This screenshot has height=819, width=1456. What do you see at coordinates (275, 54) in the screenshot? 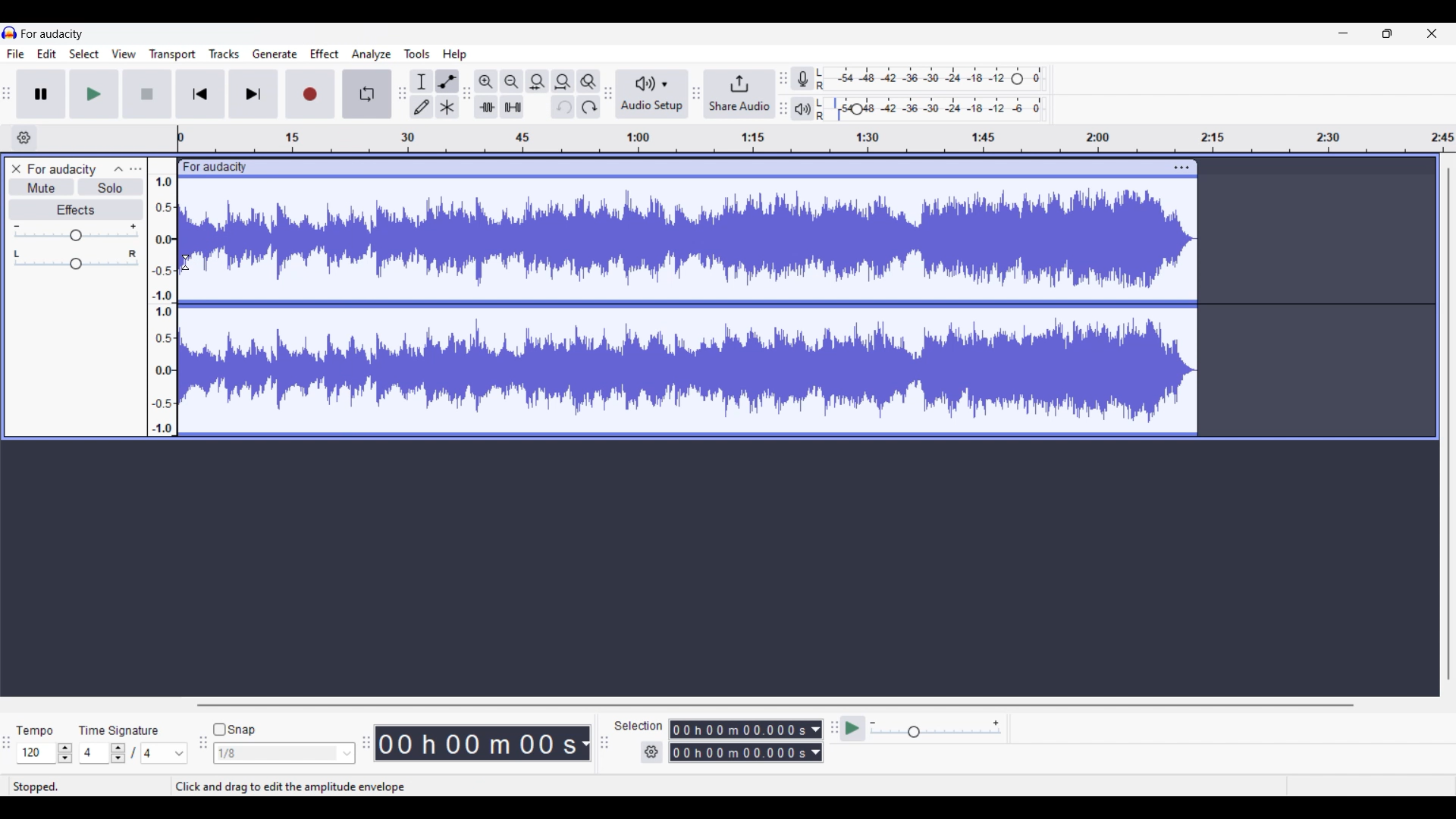
I see `Generate` at bounding box center [275, 54].